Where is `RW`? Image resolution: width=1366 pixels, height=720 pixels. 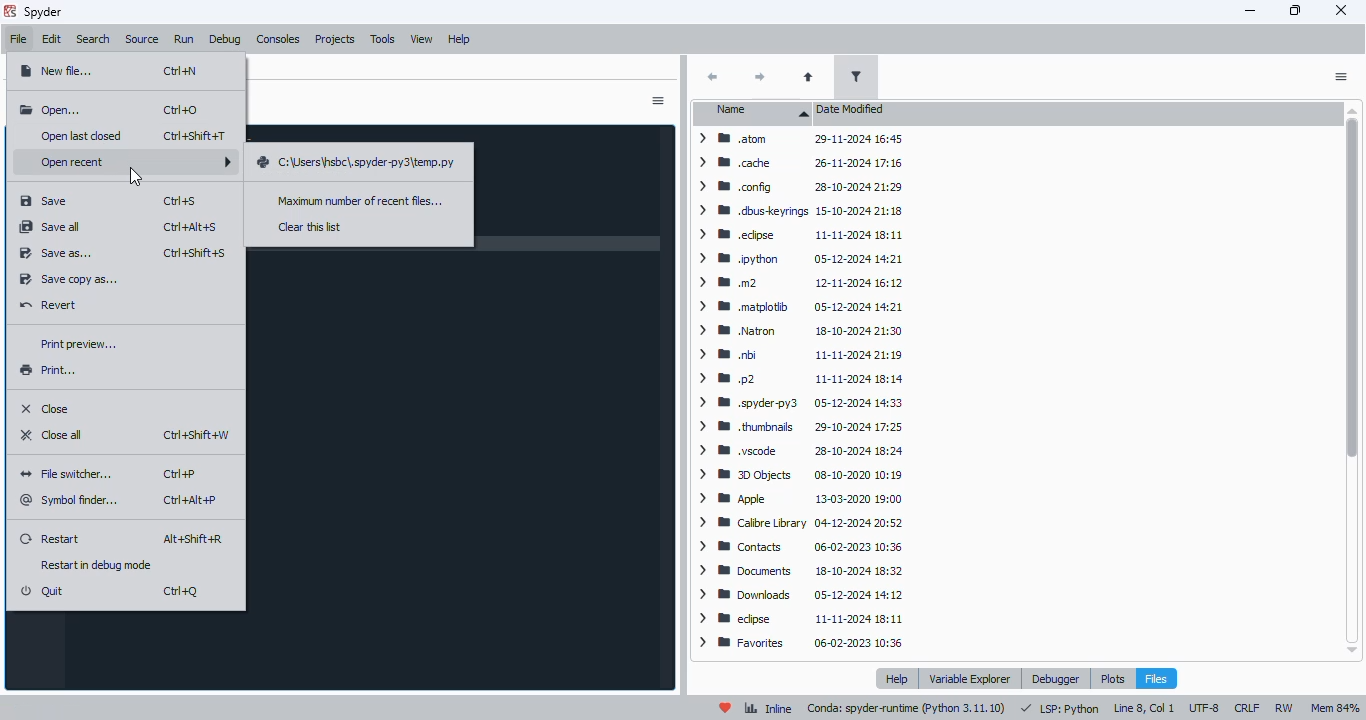 RW is located at coordinates (1283, 708).